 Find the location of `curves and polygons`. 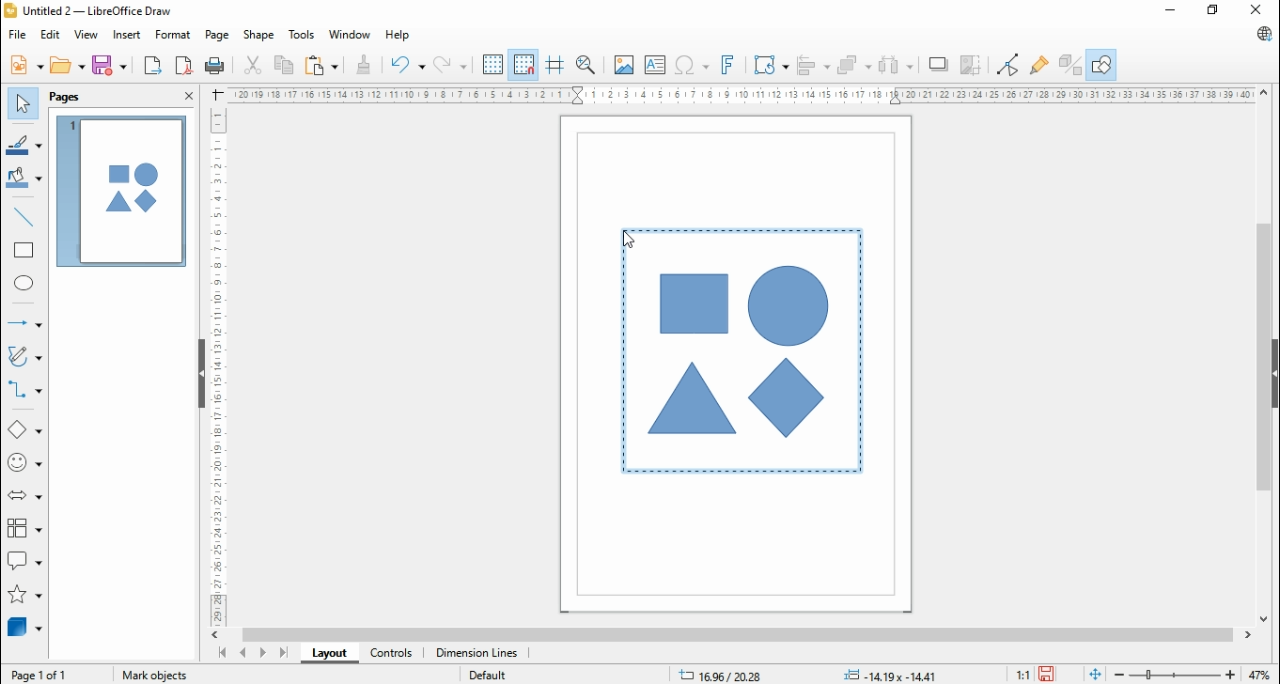

curves and polygons is located at coordinates (27, 354).